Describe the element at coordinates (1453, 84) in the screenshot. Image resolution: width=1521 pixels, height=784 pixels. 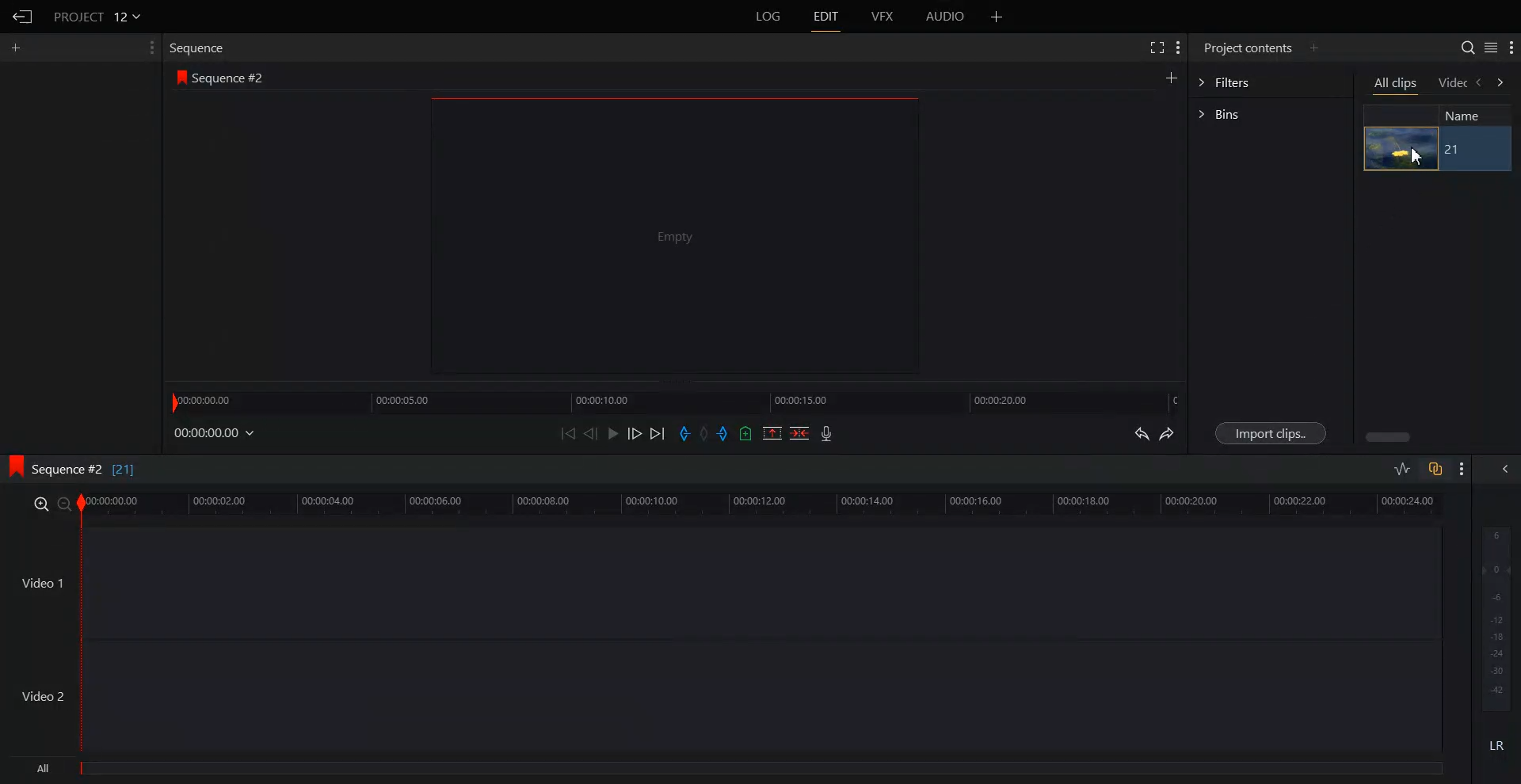
I see `Video` at that location.